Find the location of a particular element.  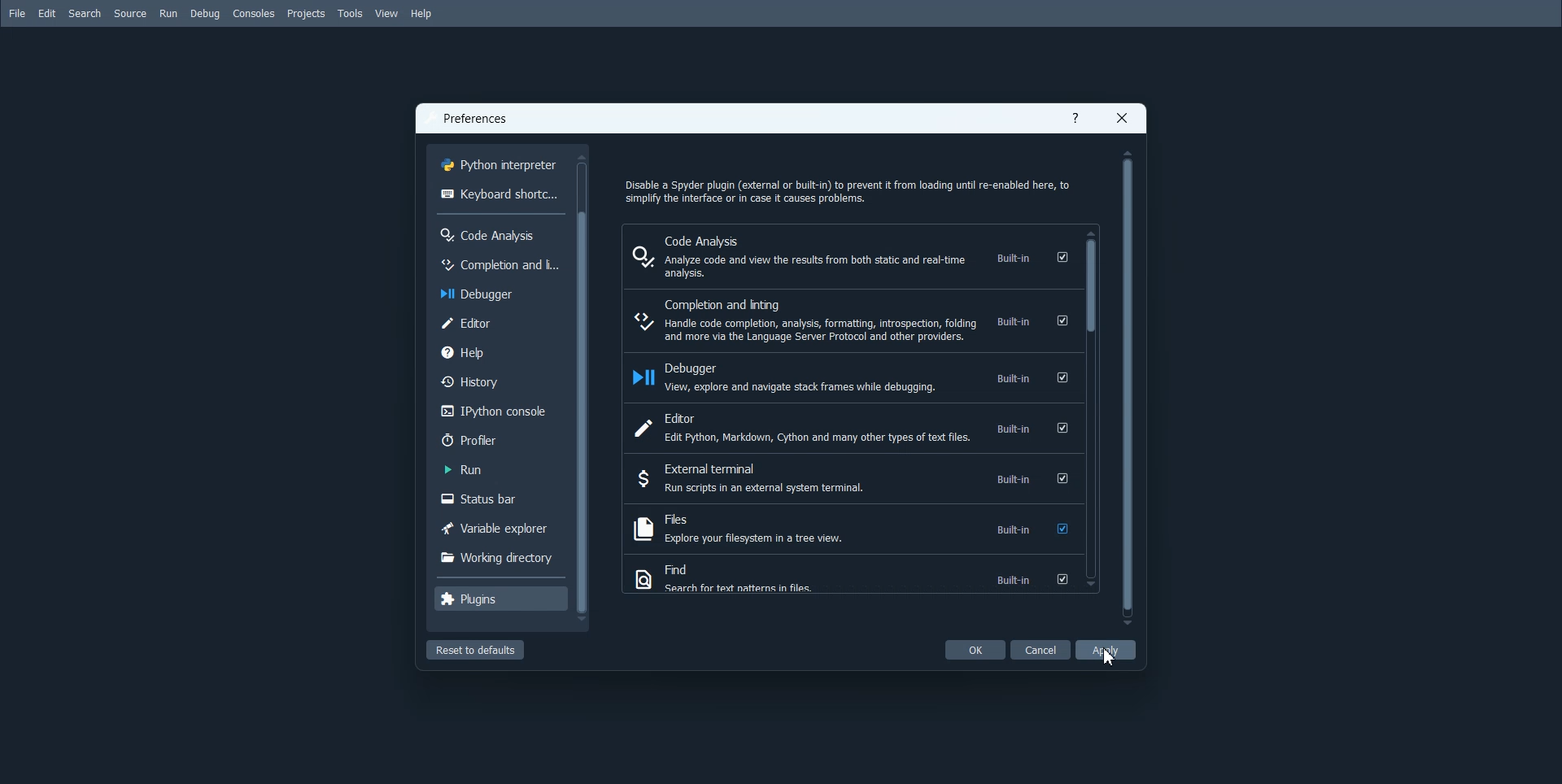

Code Analysis is located at coordinates (851, 255).